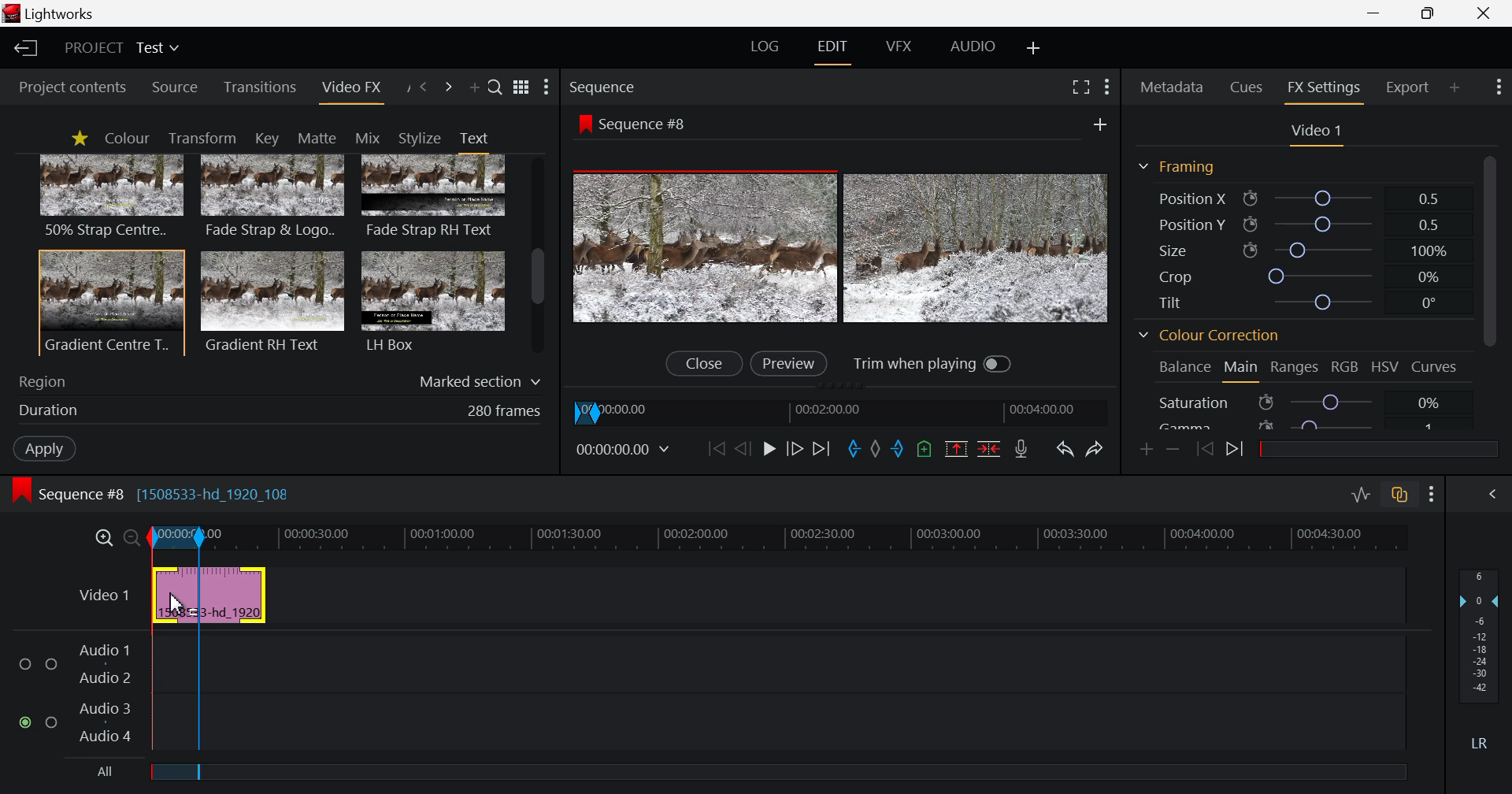 Image resolution: width=1512 pixels, height=794 pixels. Describe the element at coordinates (1345, 369) in the screenshot. I see `RGB` at that location.